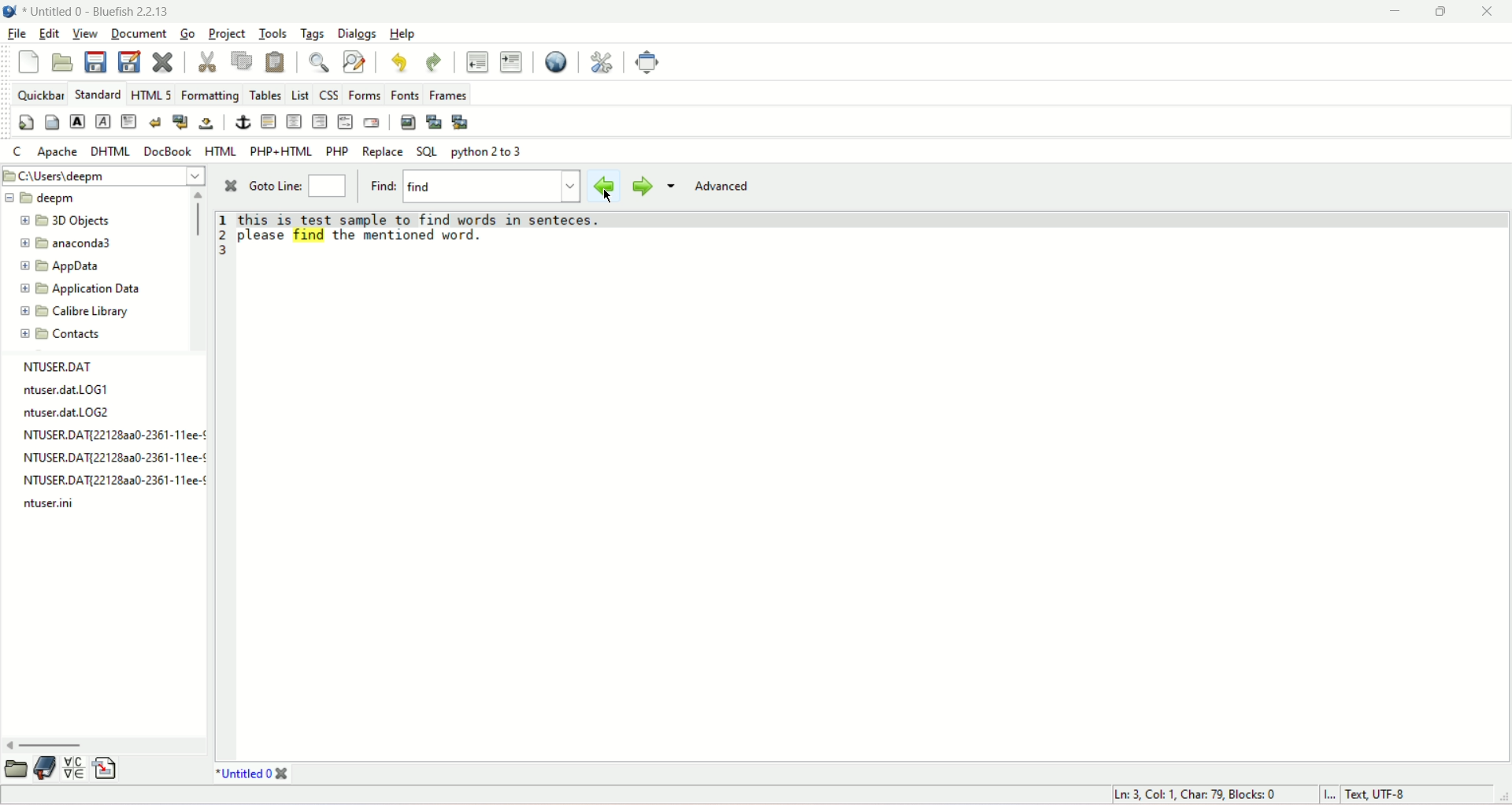 This screenshot has height=805, width=1512. Describe the element at coordinates (272, 35) in the screenshot. I see `tools` at that location.